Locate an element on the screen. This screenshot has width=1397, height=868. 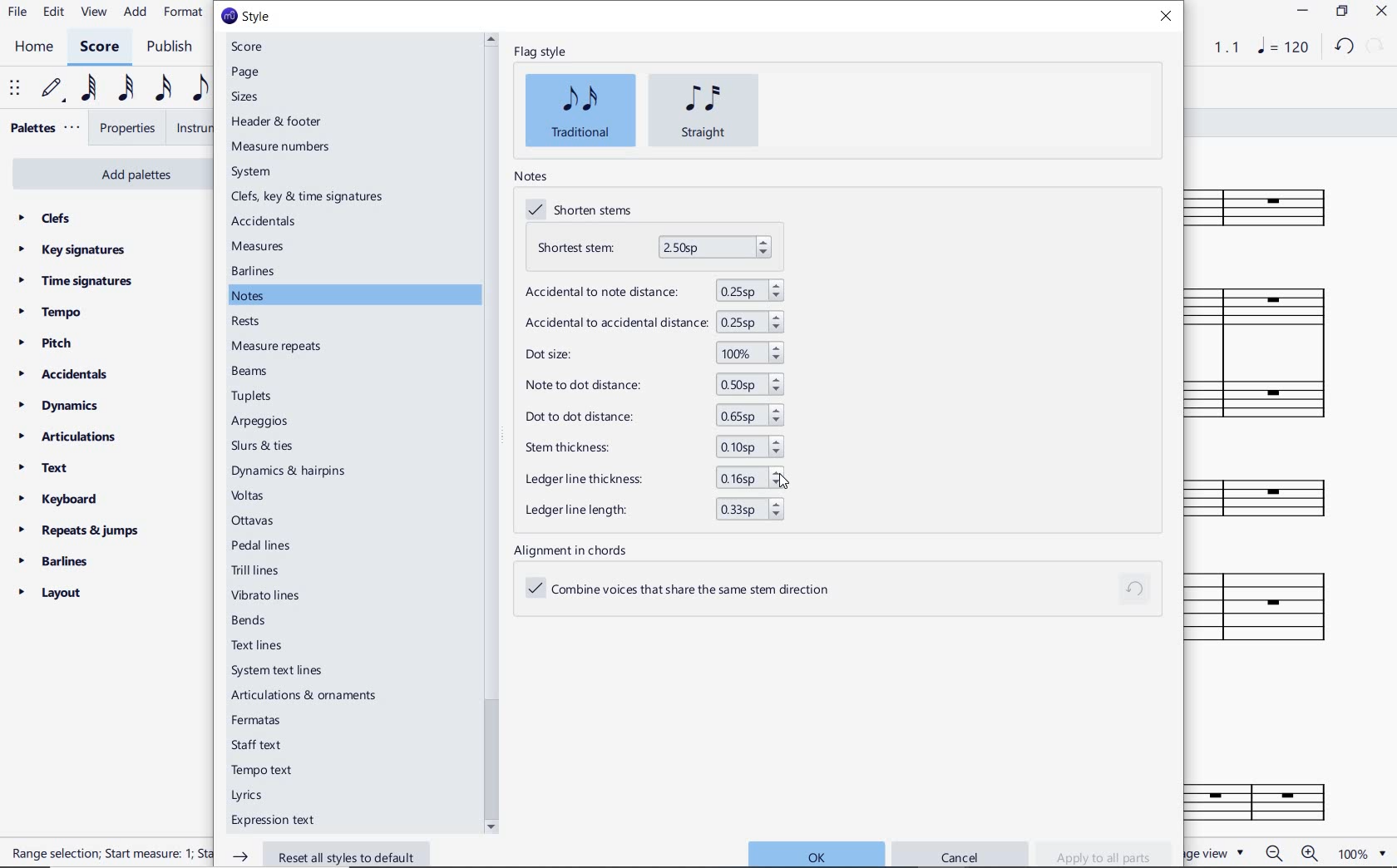
barlines is located at coordinates (52, 560).